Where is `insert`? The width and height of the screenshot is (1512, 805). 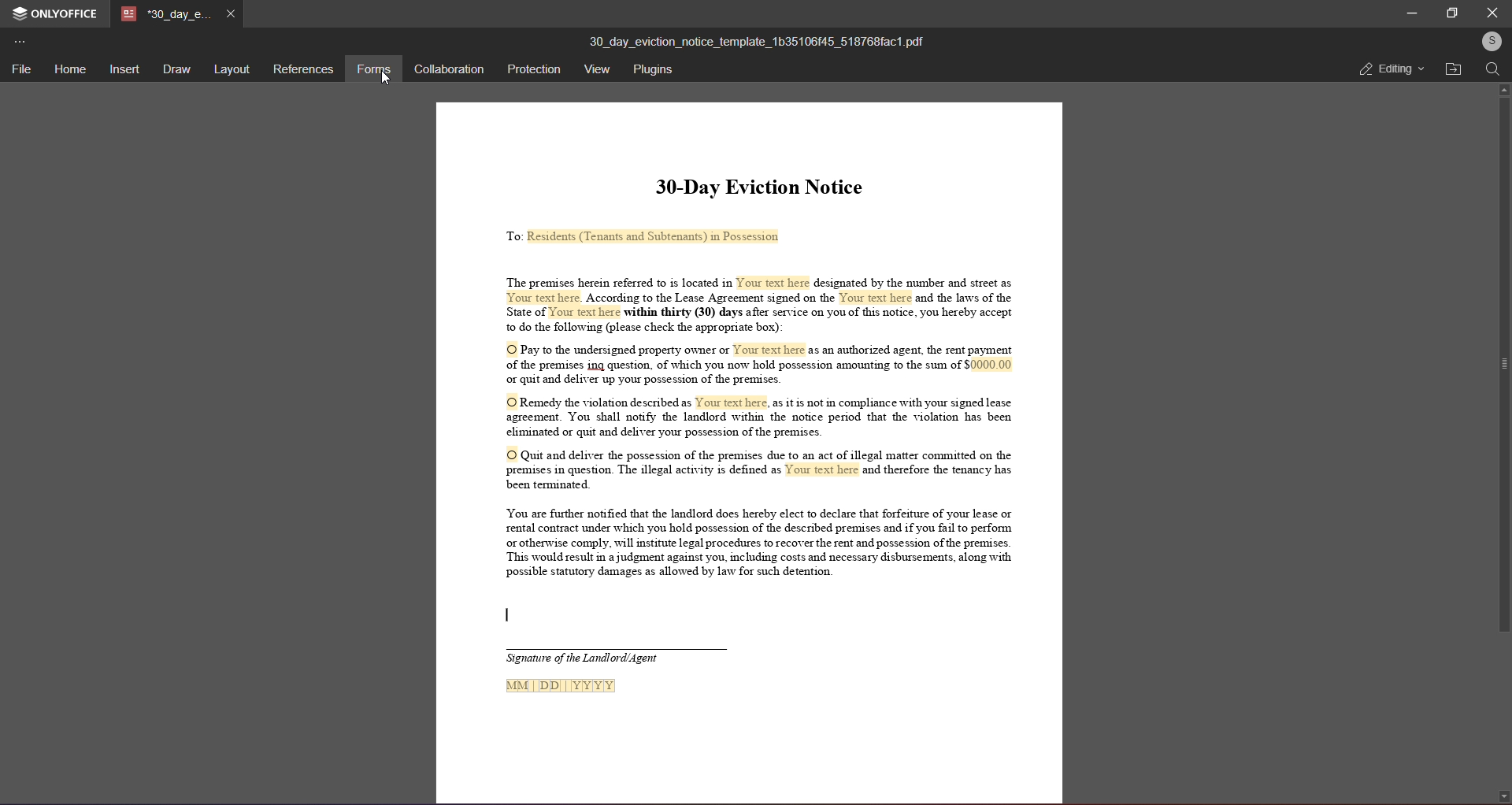 insert is located at coordinates (124, 69).